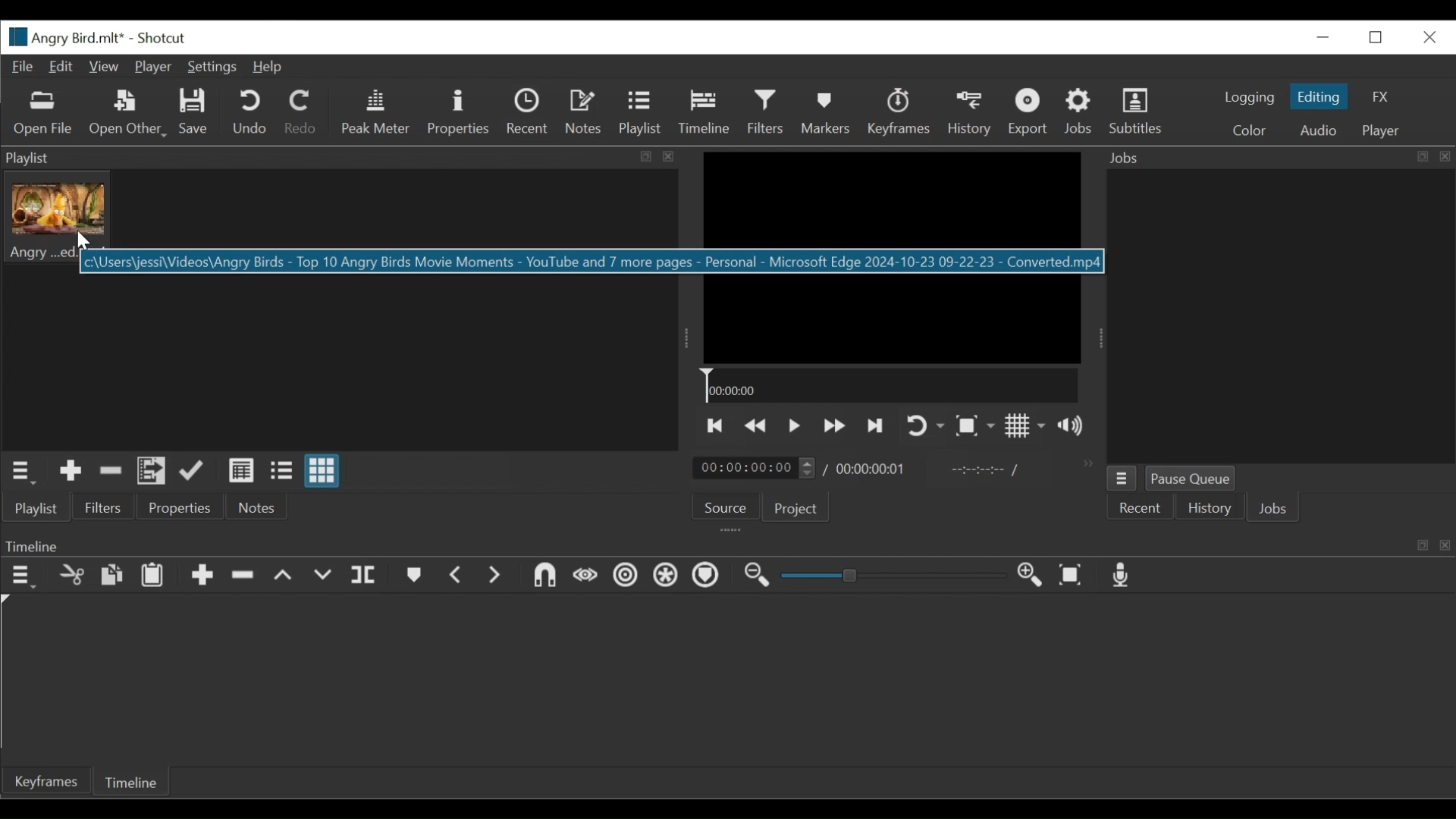 The image size is (1456, 819). I want to click on Play forward quickly, so click(835, 425).